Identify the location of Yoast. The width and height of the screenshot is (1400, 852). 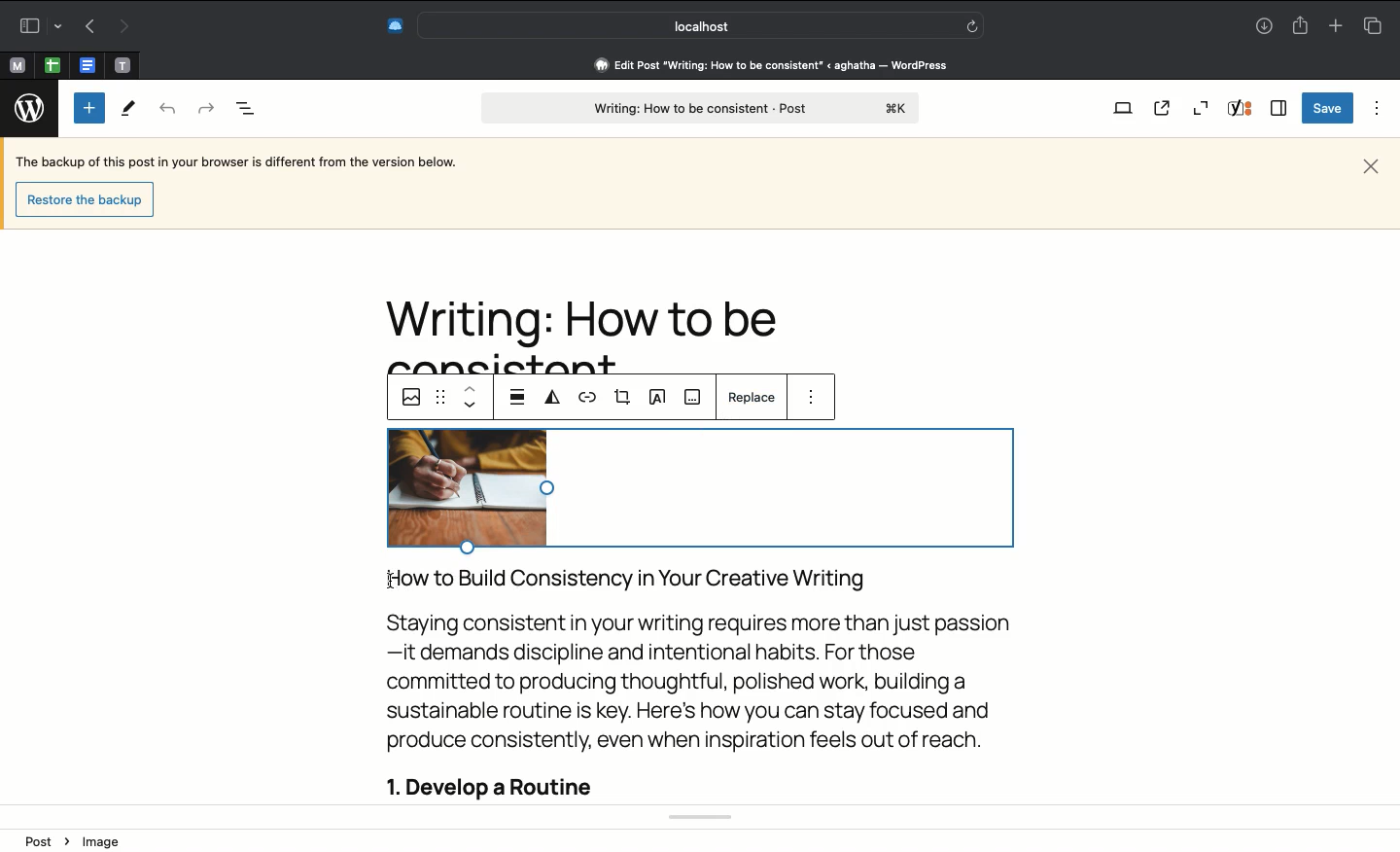
(1242, 109).